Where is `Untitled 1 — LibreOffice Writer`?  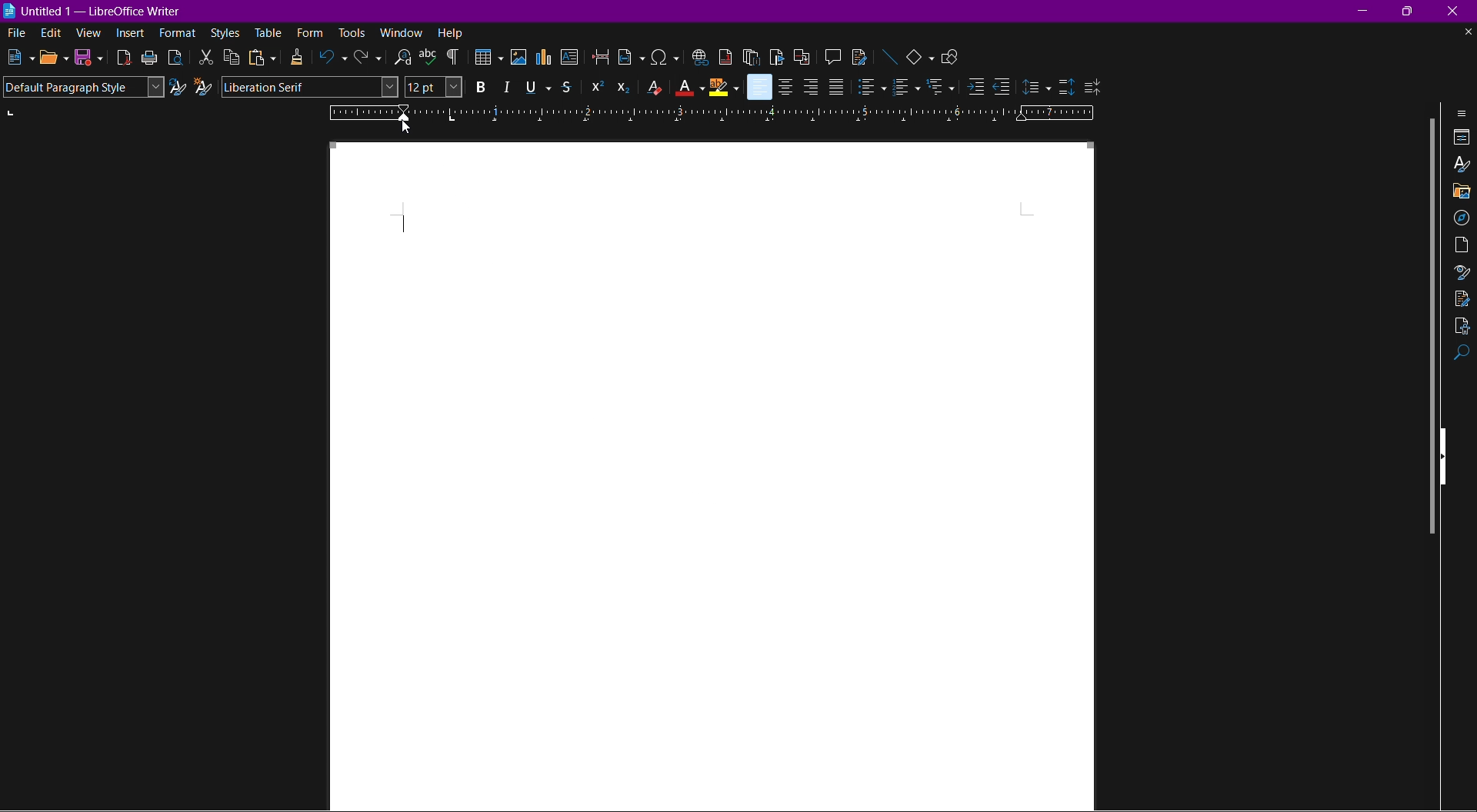 Untitled 1 — LibreOffice Writer is located at coordinates (96, 9).